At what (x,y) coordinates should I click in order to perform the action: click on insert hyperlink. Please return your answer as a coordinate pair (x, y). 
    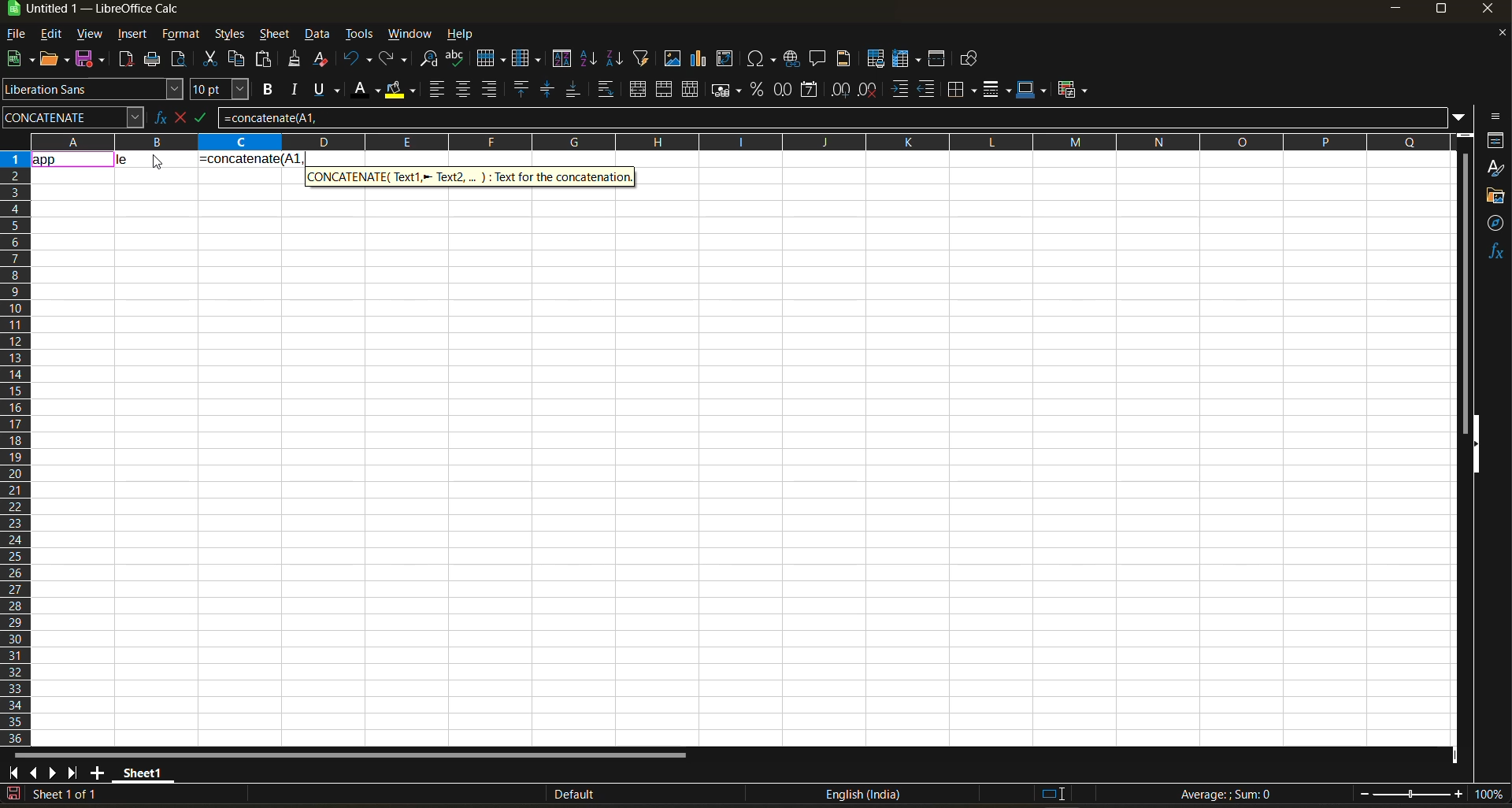
    Looking at the image, I should click on (794, 58).